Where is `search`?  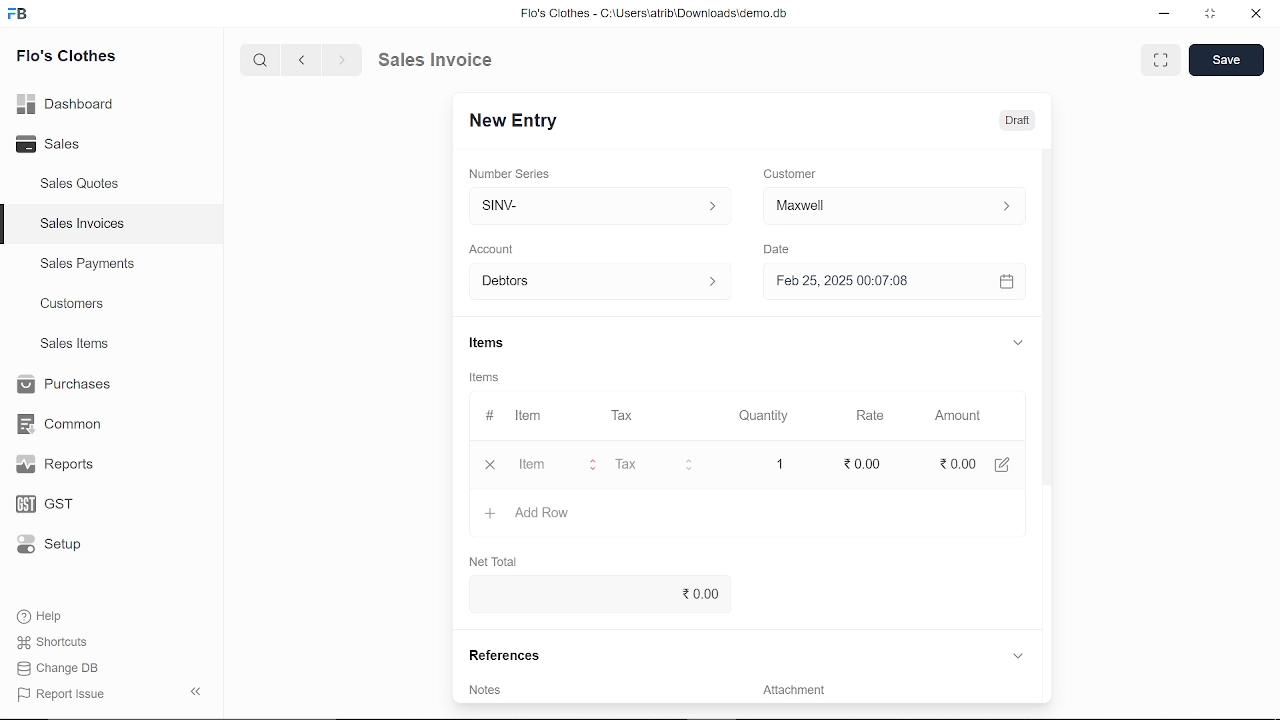 search is located at coordinates (263, 61).